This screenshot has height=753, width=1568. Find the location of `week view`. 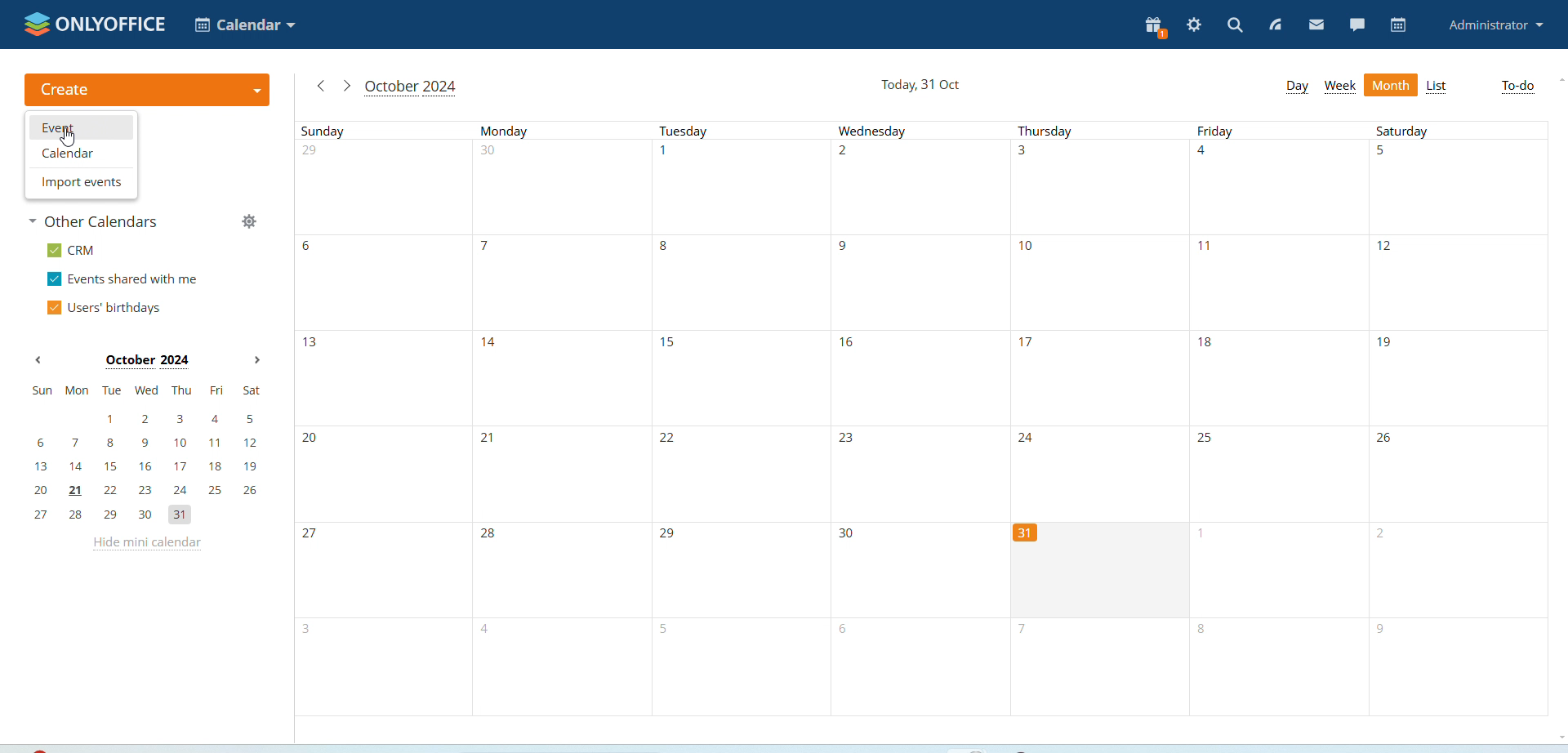

week view is located at coordinates (1339, 87).